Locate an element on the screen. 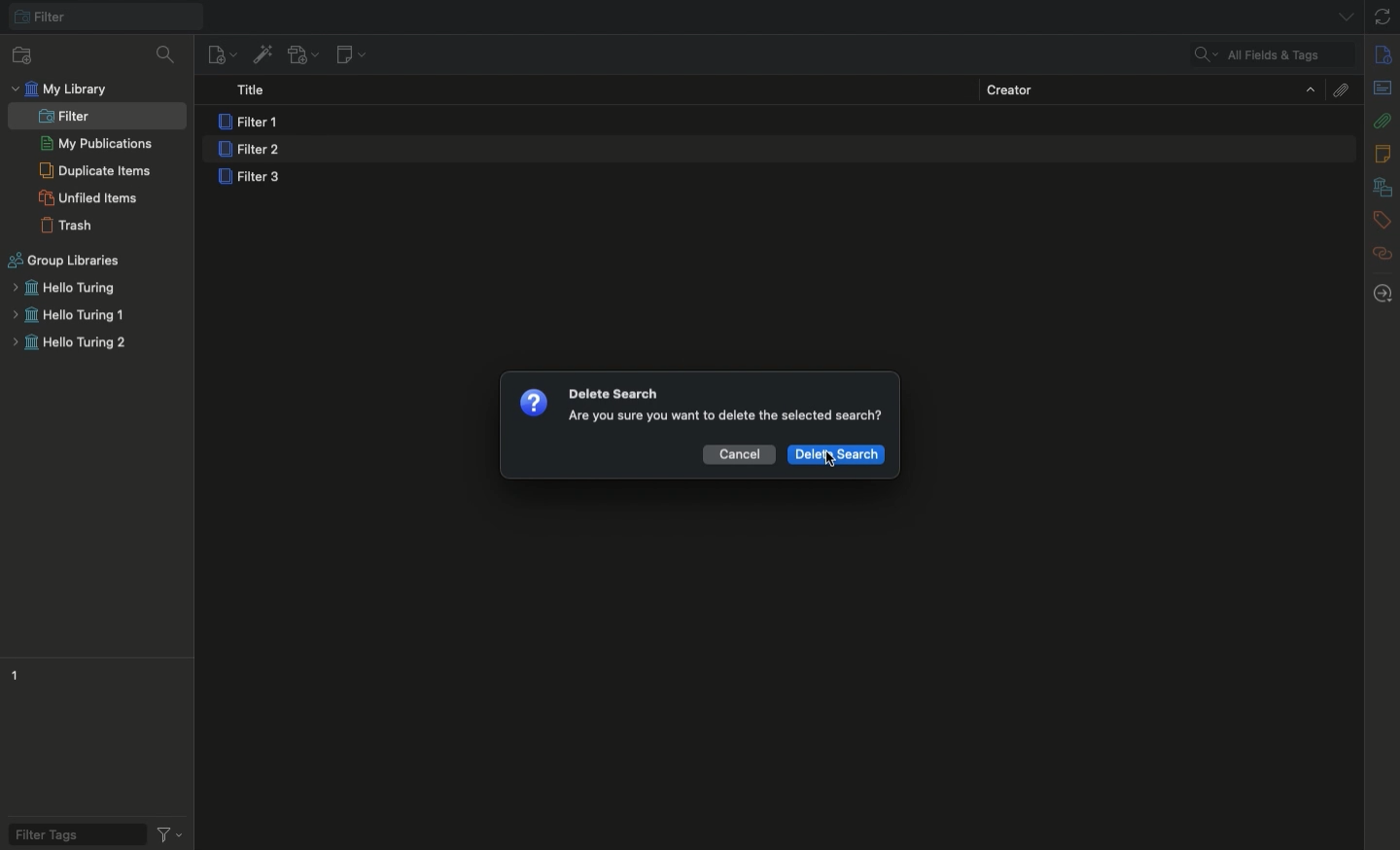 The image size is (1400, 850). Delete search is located at coordinates (614, 394).